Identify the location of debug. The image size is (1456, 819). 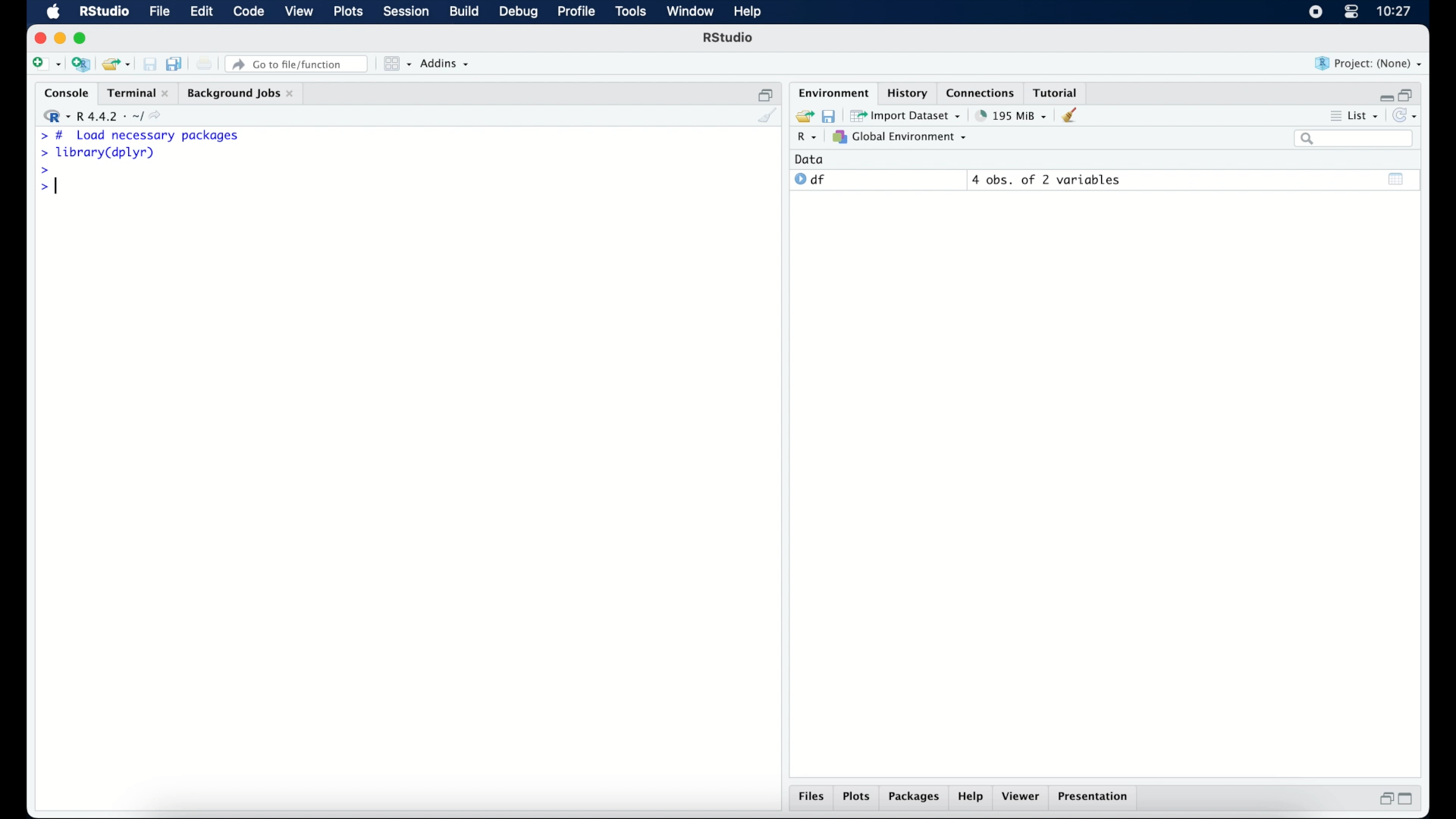
(519, 13).